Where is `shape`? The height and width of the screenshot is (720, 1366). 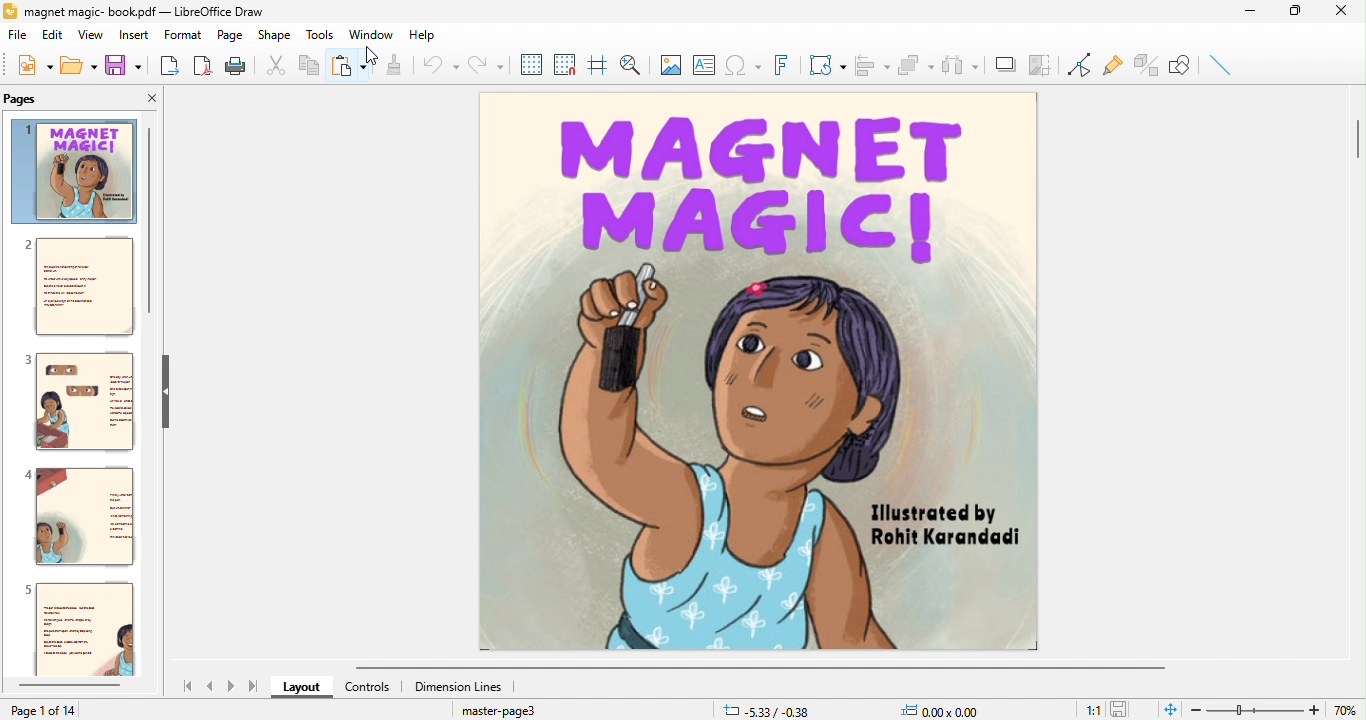 shape is located at coordinates (272, 35).